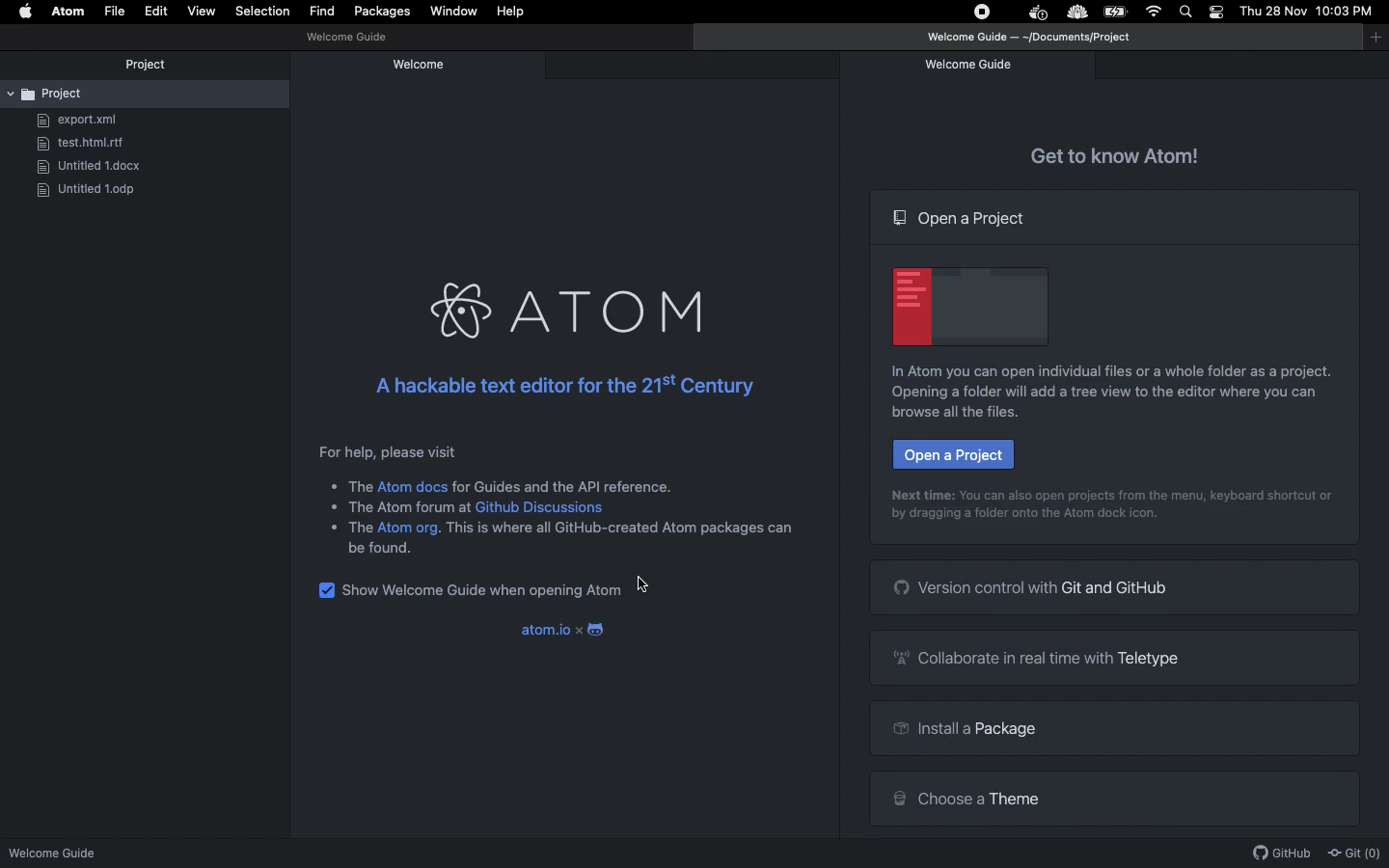 This screenshot has width=1389, height=868. Describe the element at coordinates (321, 12) in the screenshot. I see `Find` at that location.